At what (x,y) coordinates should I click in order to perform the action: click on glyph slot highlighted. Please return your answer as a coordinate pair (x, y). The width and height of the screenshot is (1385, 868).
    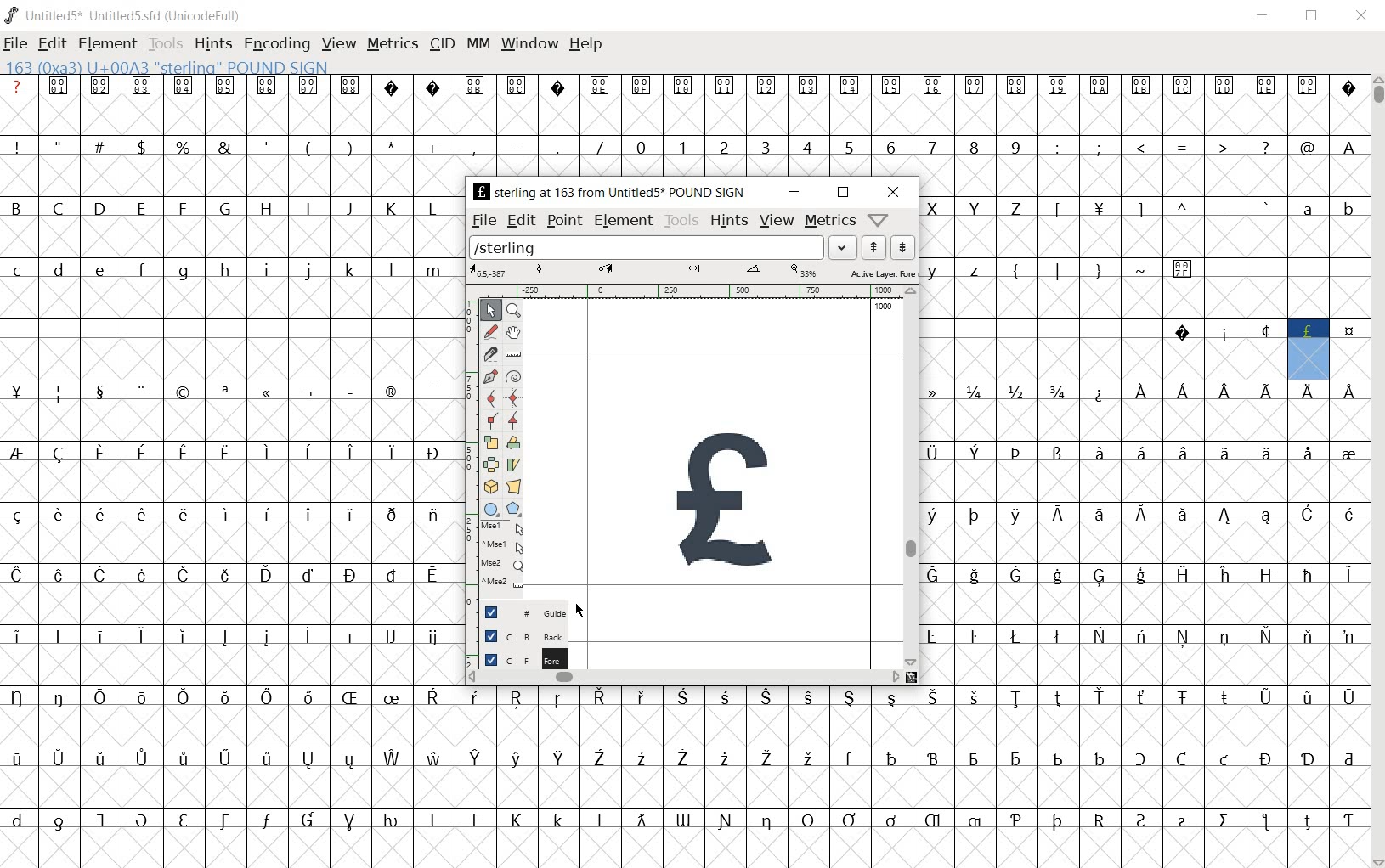
    Looking at the image, I should click on (1309, 360).